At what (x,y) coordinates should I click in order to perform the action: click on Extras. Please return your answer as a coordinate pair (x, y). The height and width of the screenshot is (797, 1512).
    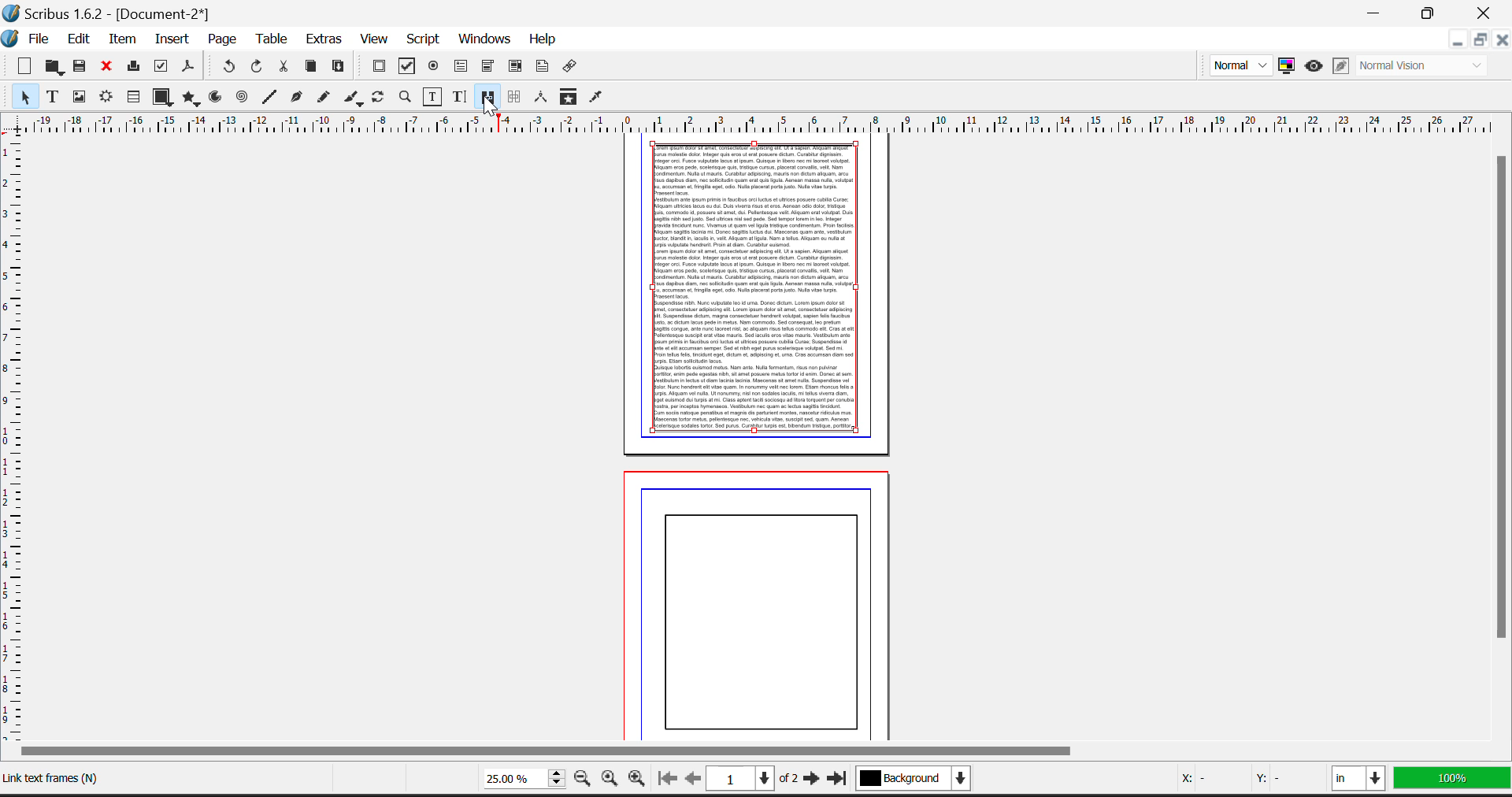
    Looking at the image, I should click on (324, 41).